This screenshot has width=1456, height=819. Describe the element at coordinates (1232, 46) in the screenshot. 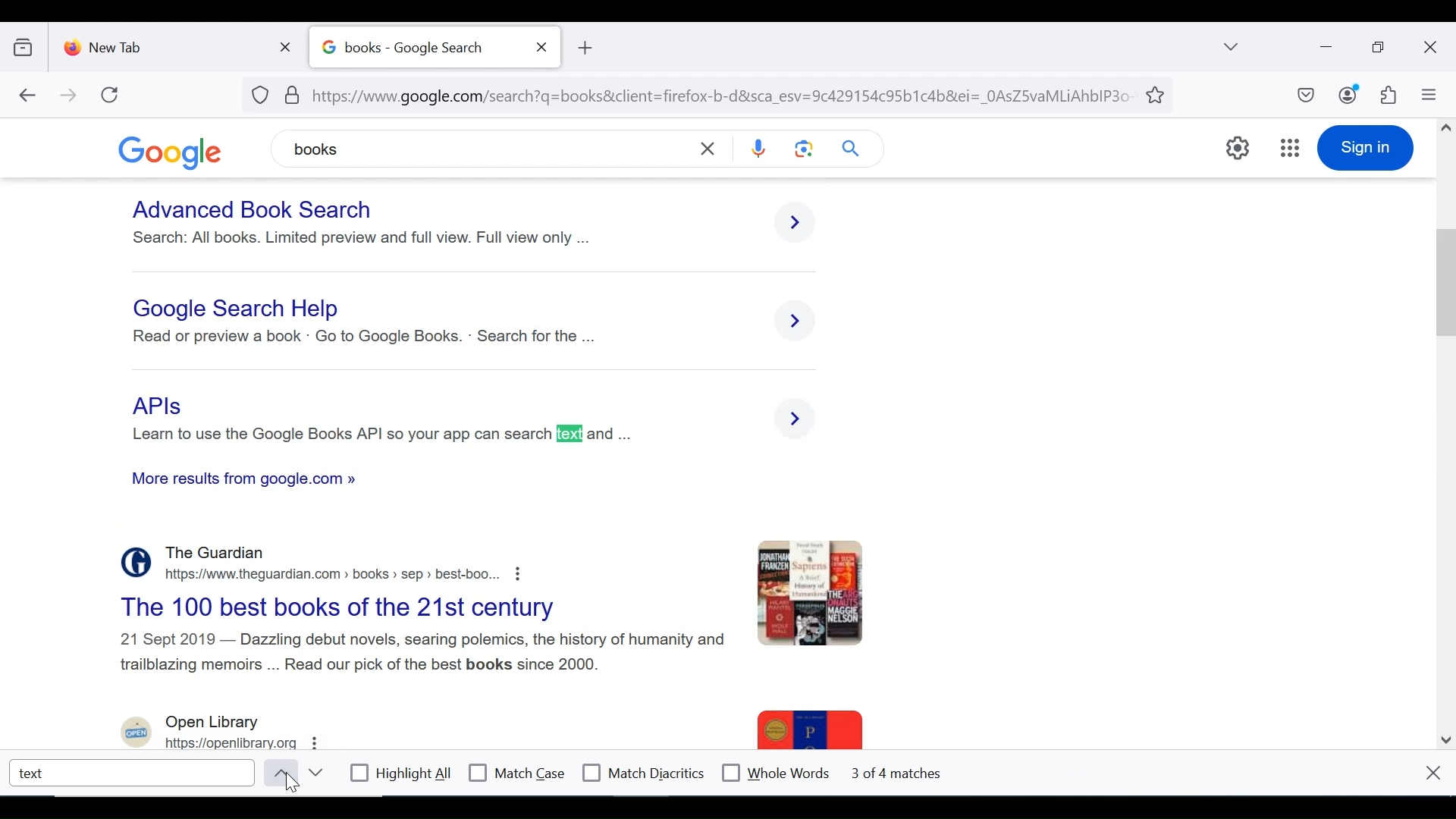

I see `list all tabs` at that location.